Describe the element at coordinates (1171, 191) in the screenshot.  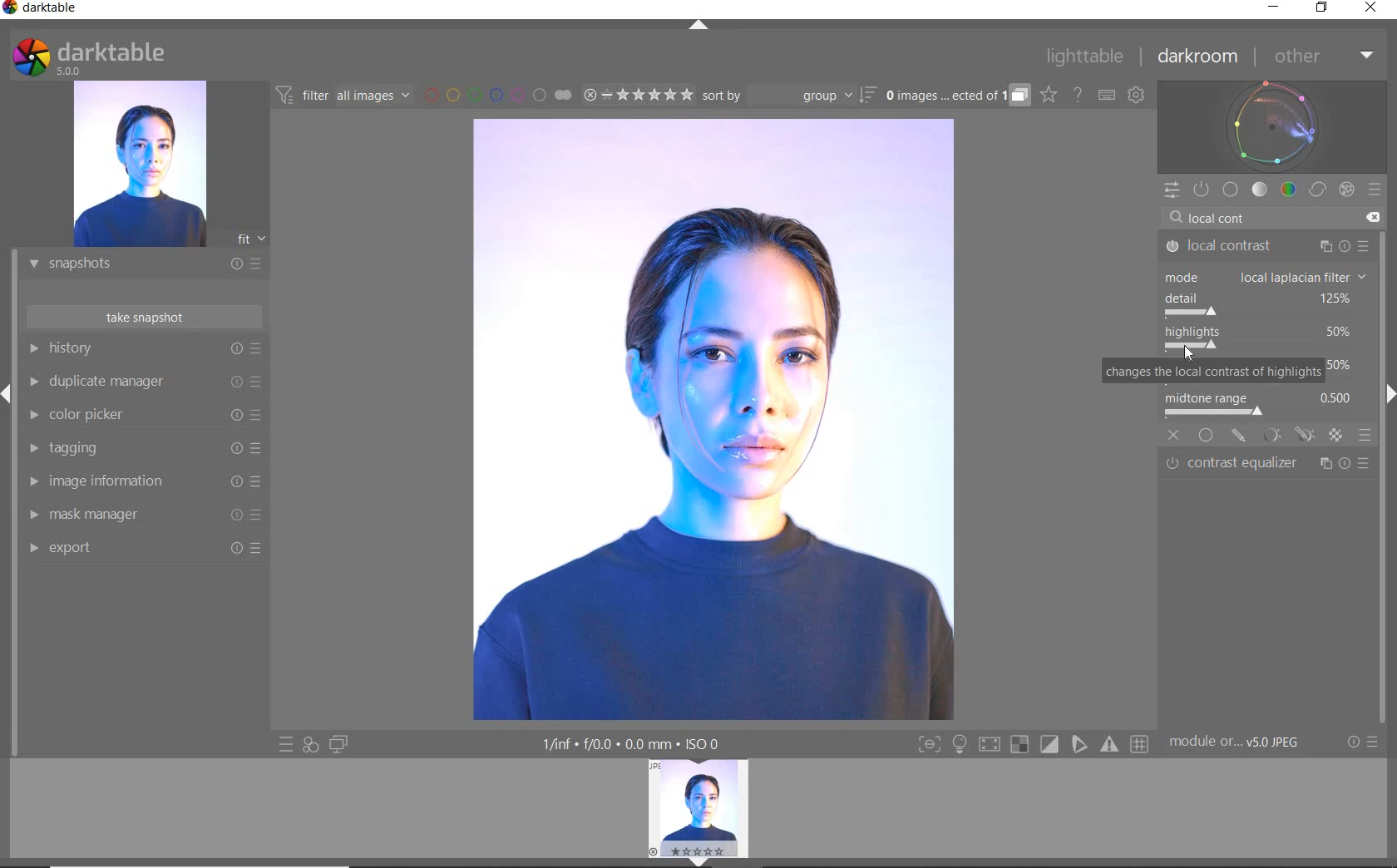
I see `QUICK ACCESS PANEL` at that location.